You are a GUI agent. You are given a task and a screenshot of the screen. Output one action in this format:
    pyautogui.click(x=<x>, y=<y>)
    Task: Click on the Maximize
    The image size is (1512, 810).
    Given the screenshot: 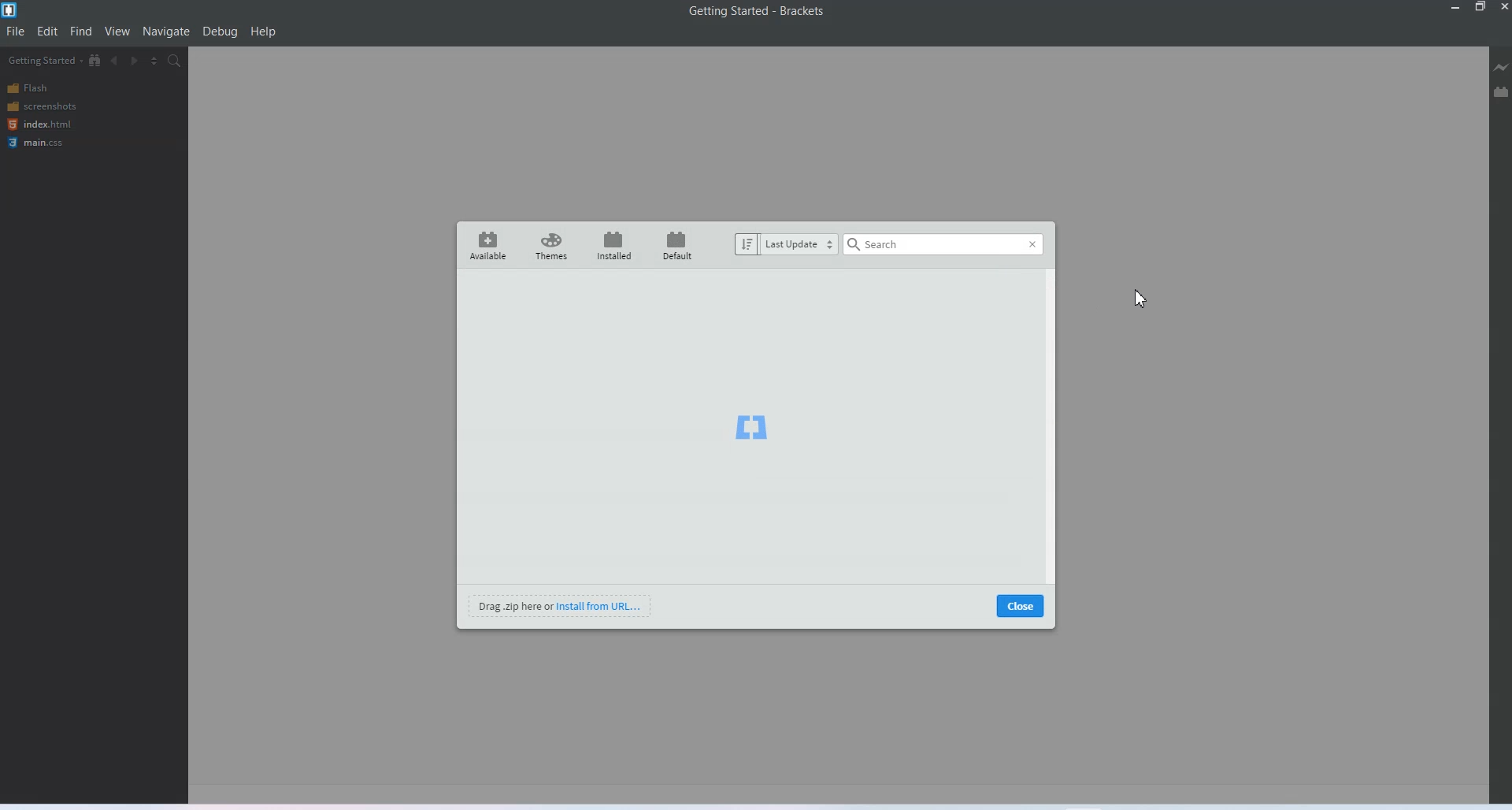 What is the action you would take?
    pyautogui.click(x=1481, y=7)
    